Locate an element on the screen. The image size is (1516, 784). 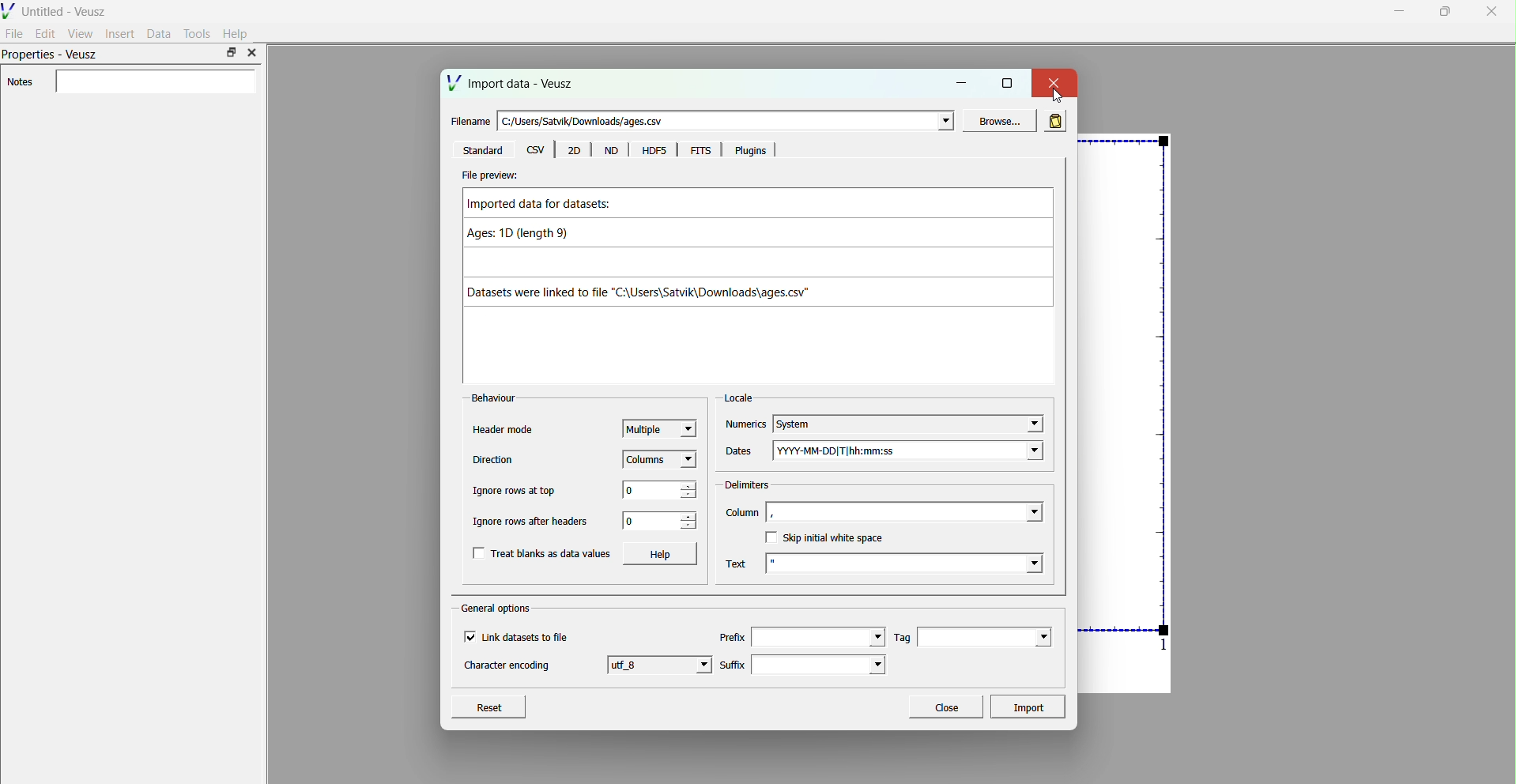
checkbox is located at coordinates (479, 554).